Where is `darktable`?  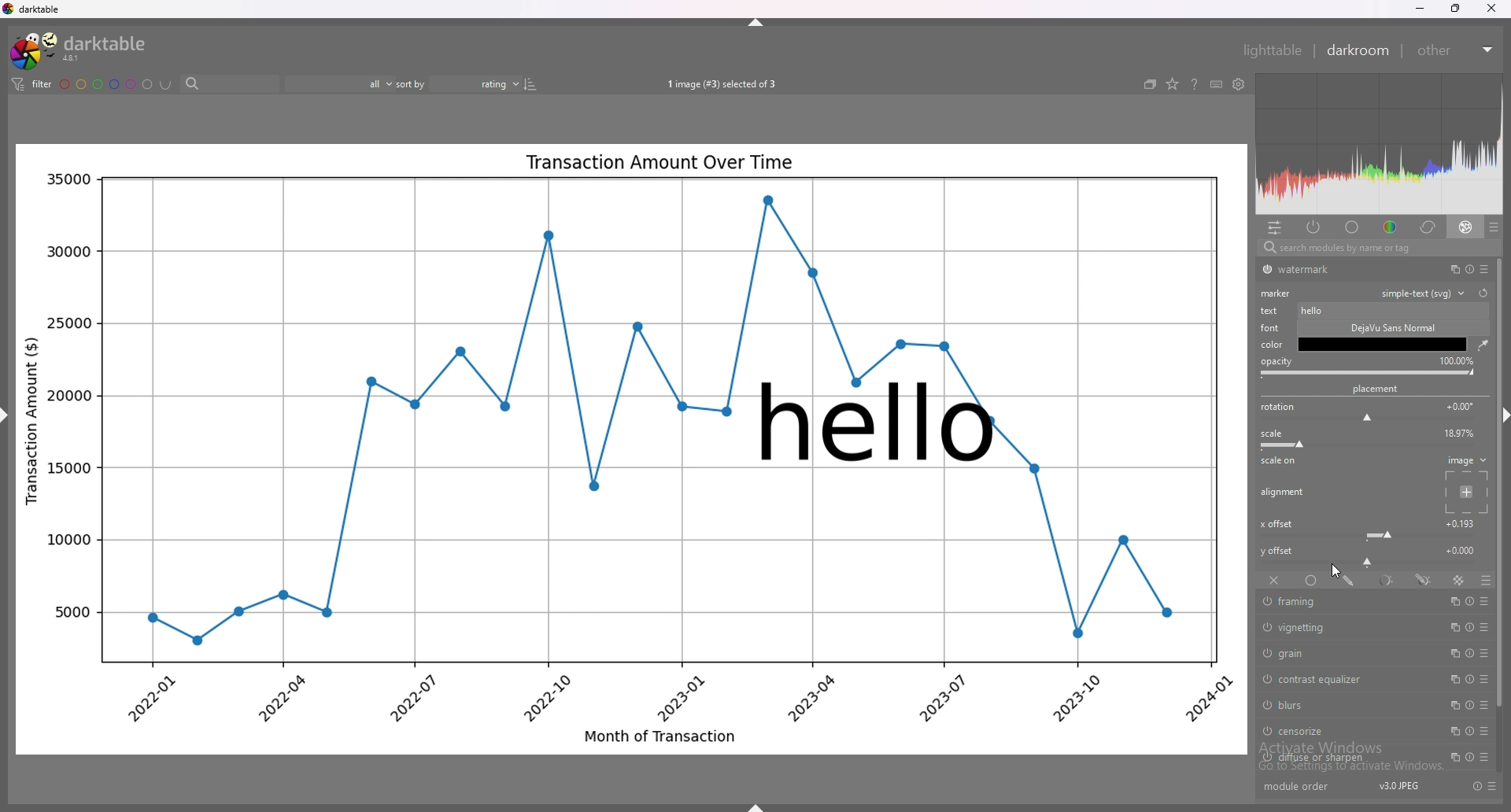
darktable is located at coordinates (79, 50).